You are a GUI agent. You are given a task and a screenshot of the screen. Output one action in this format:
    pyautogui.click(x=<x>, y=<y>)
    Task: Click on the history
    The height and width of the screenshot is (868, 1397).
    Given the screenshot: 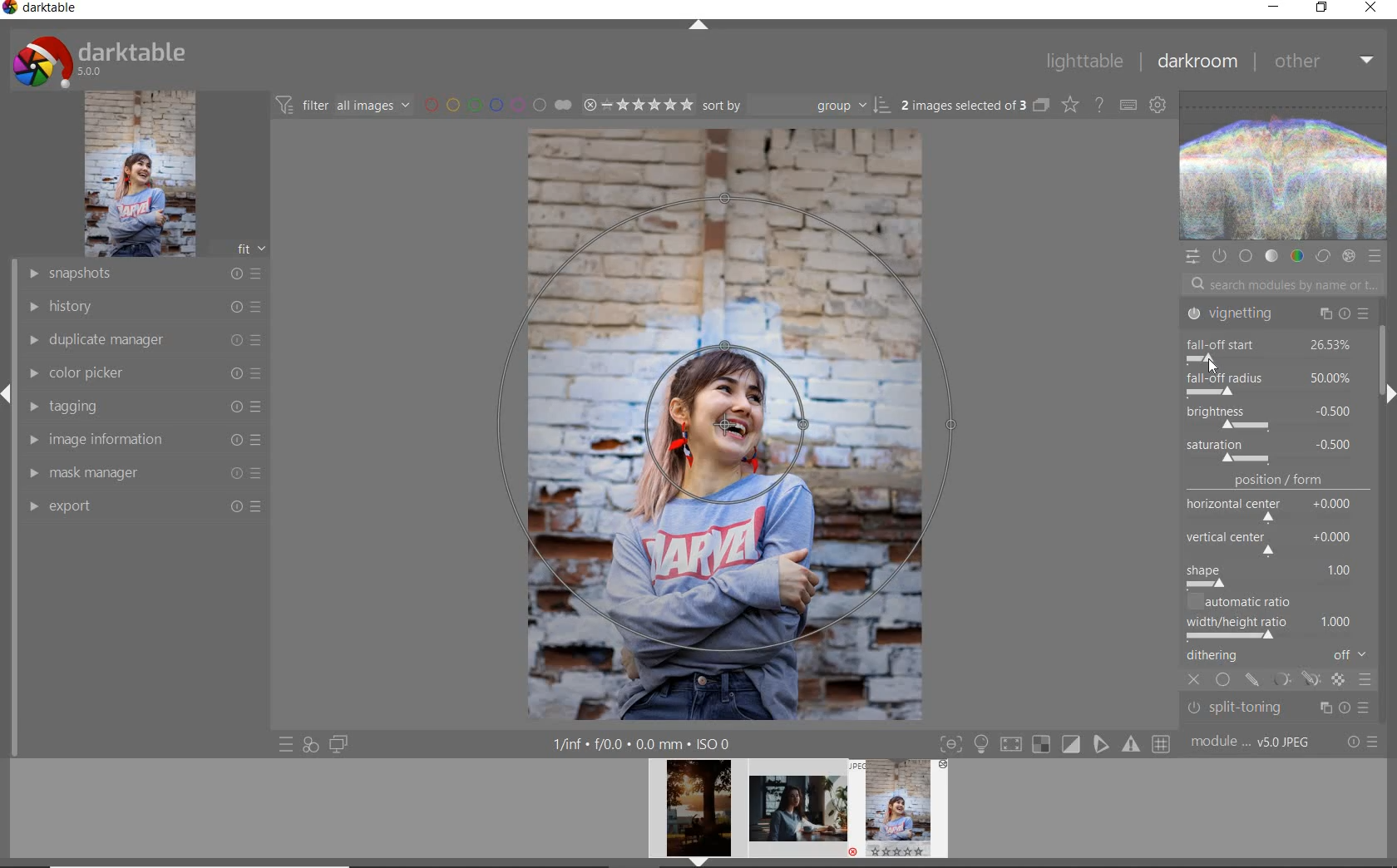 What is the action you would take?
    pyautogui.click(x=144, y=305)
    